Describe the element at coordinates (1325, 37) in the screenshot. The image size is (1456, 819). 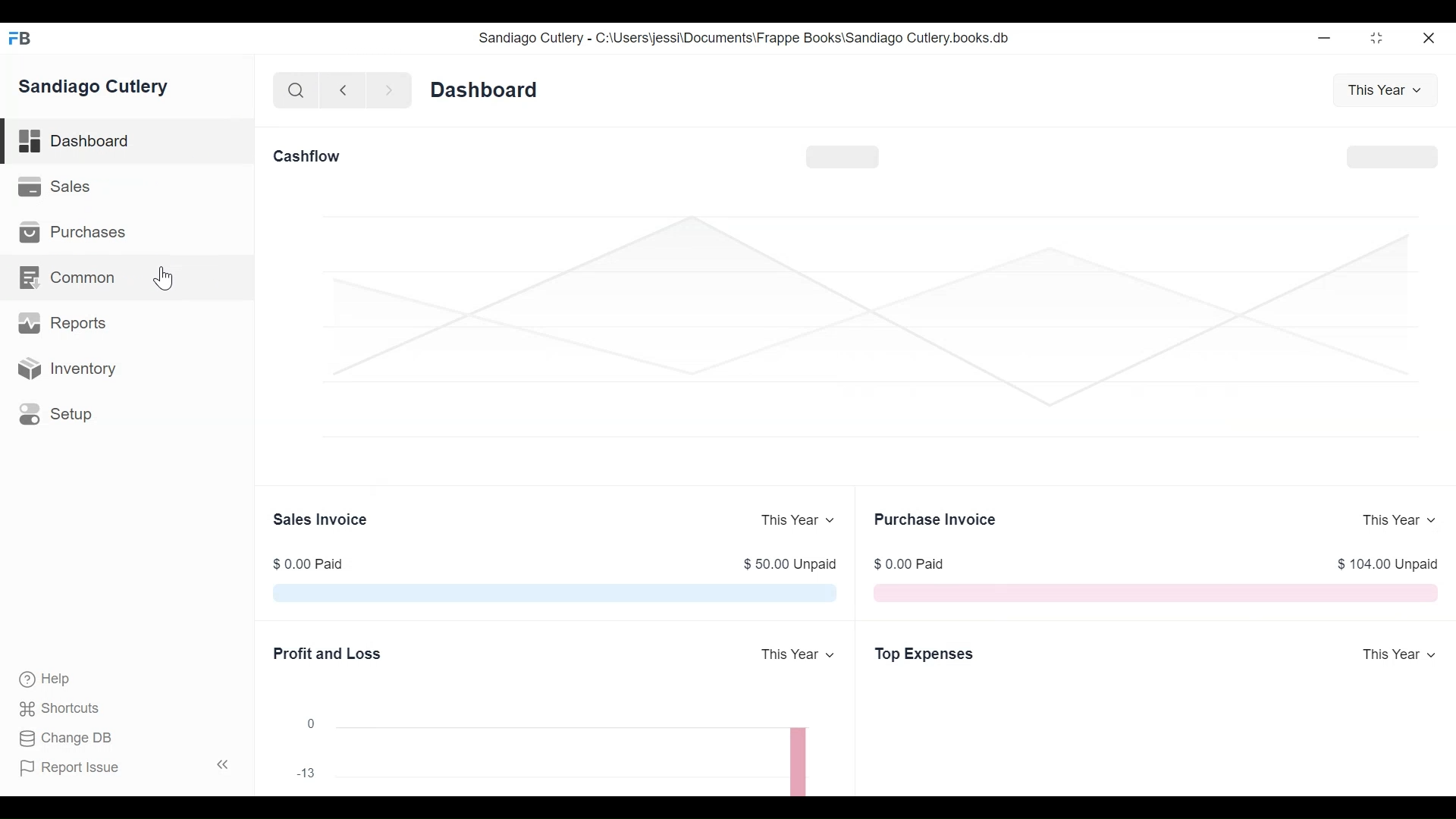
I see `minimize` at that location.